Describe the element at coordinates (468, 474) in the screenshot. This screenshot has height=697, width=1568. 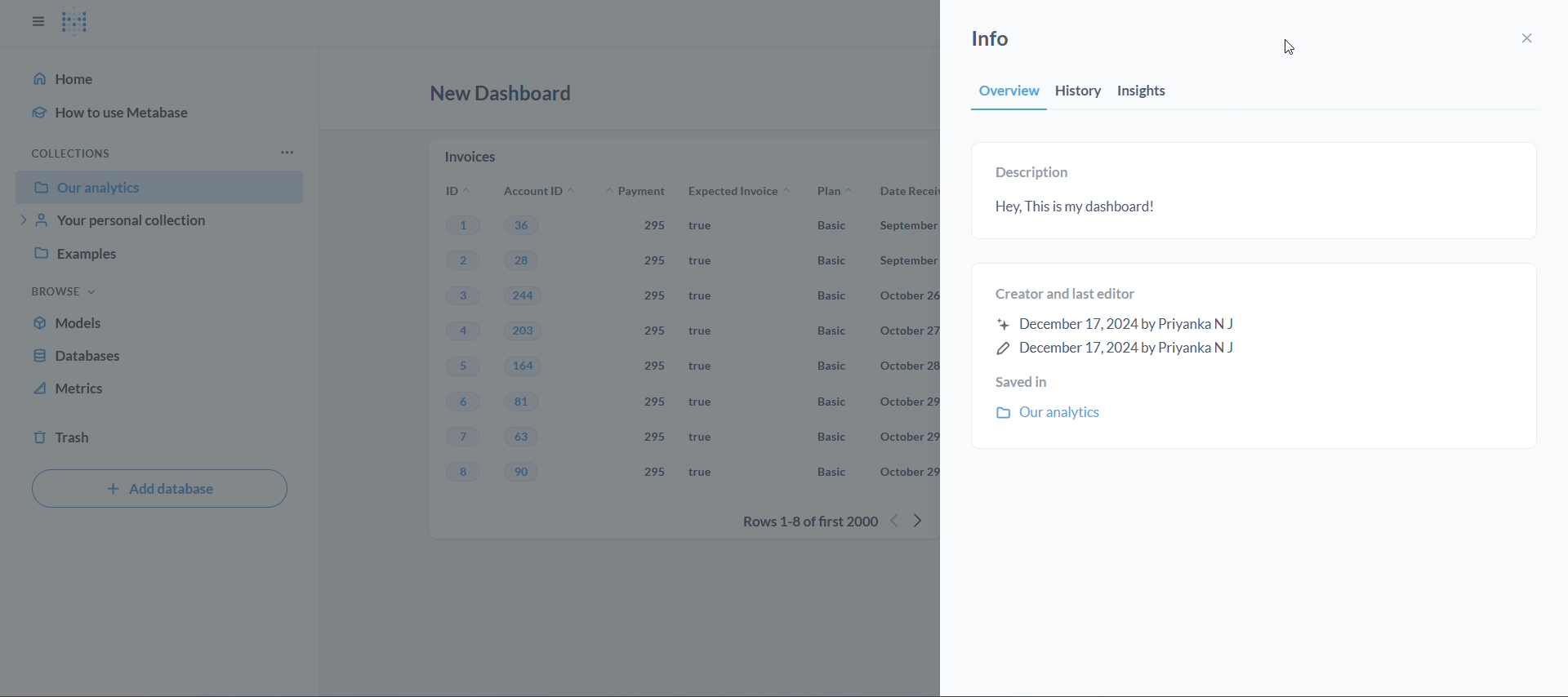
I see `8` at that location.